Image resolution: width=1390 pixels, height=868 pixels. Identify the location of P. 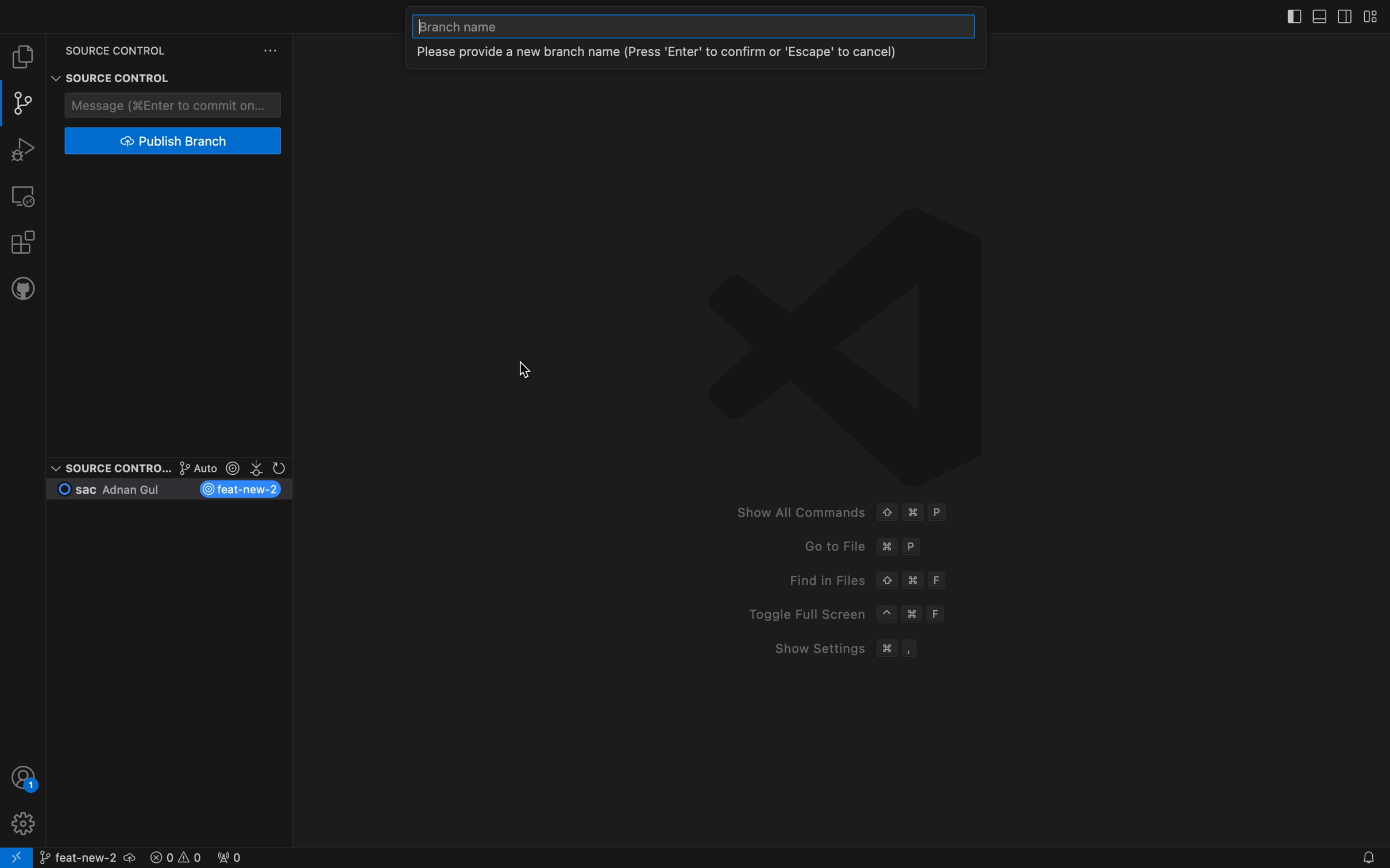
(914, 548).